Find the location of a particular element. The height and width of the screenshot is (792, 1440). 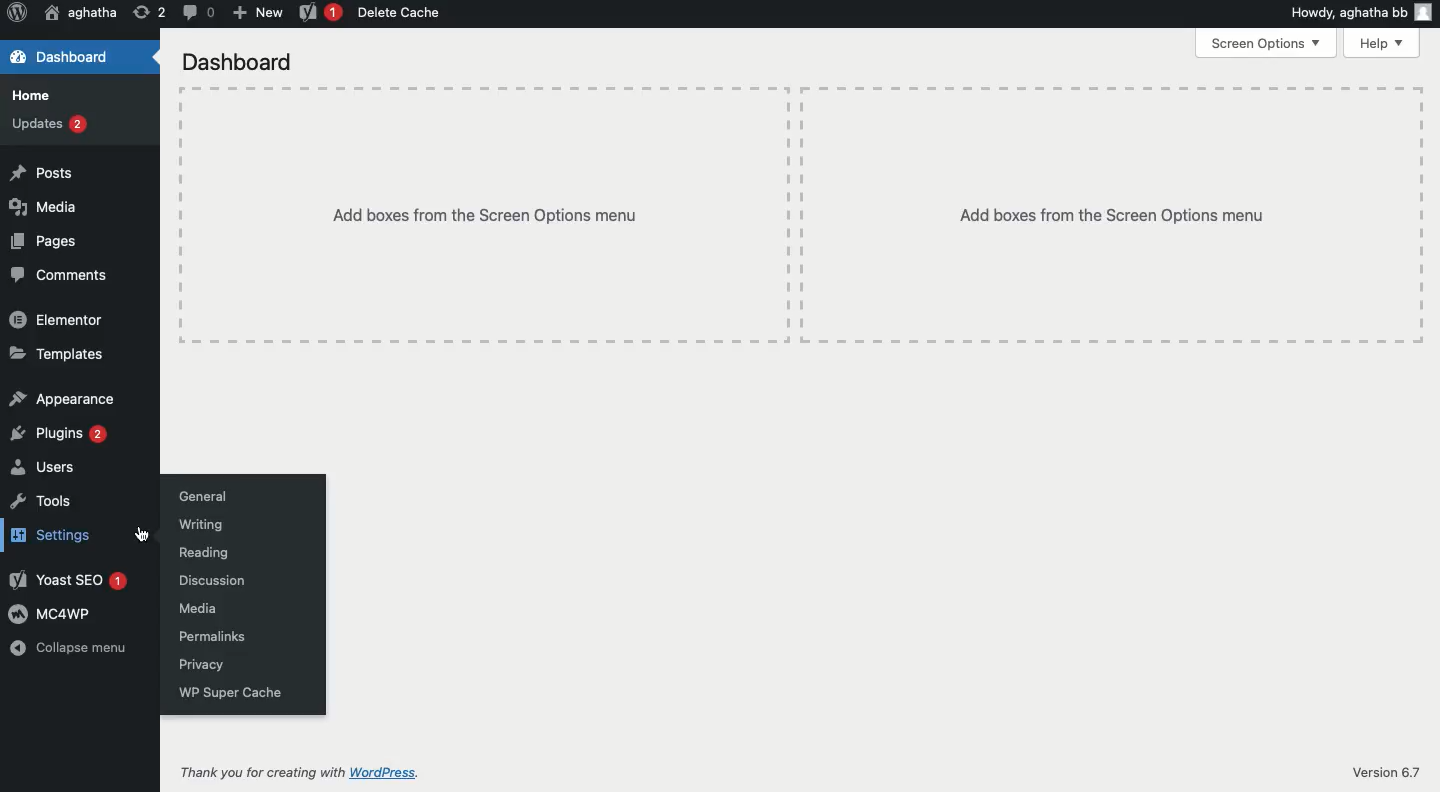

WP super cache is located at coordinates (227, 692).